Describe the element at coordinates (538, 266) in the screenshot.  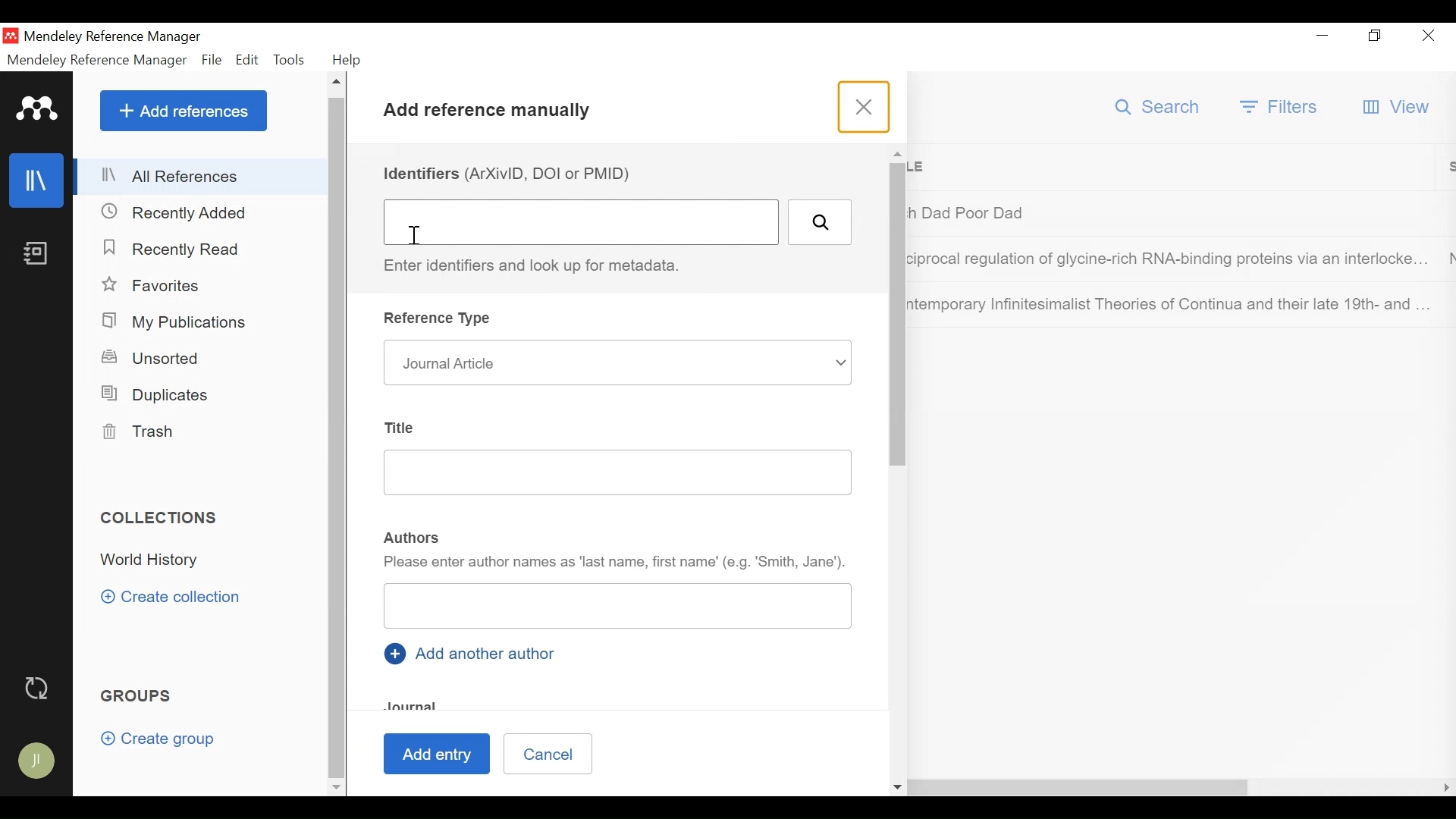
I see `Enter Identifiers and look up to metadata` at that location.